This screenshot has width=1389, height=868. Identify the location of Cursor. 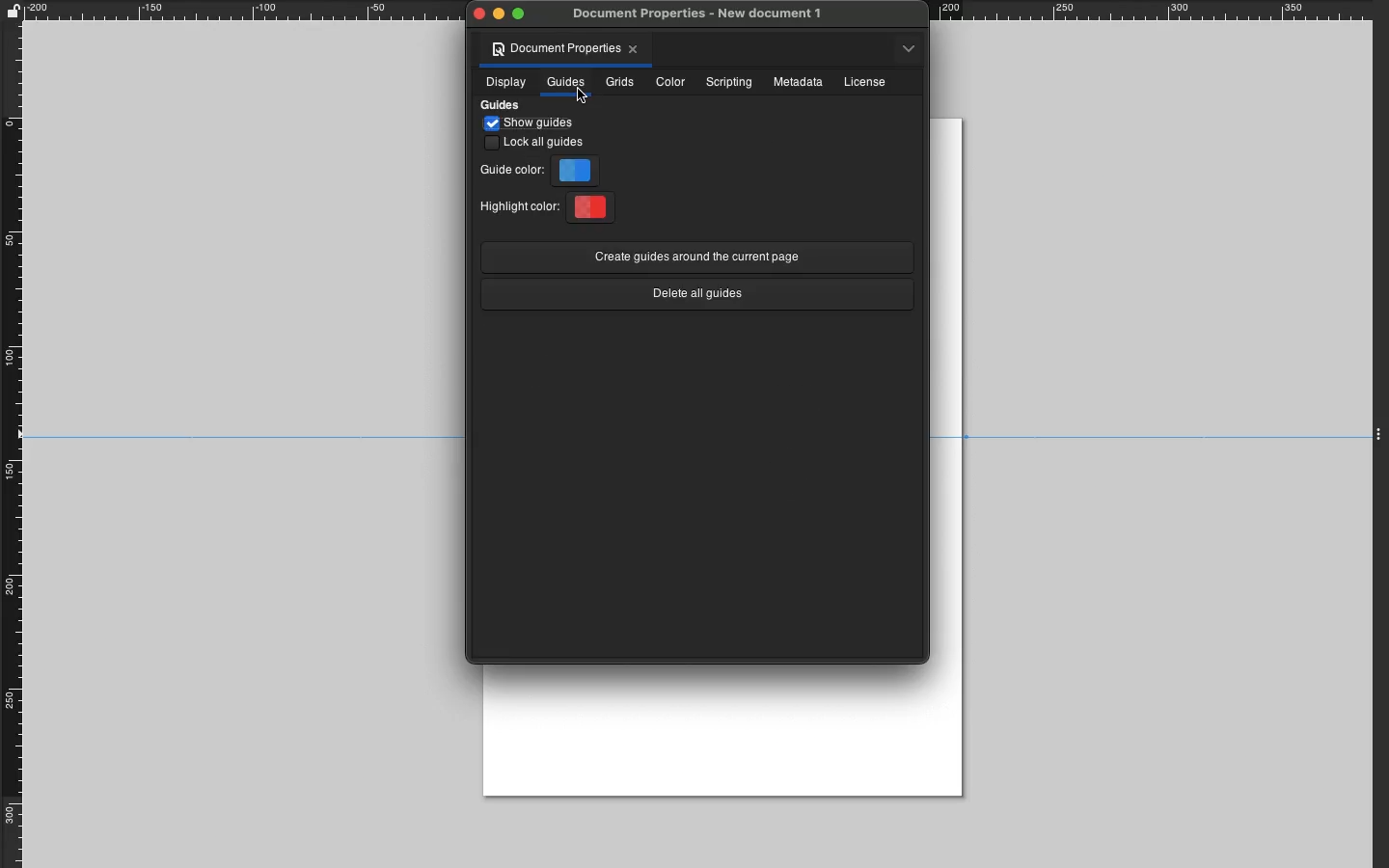
(584, 96).